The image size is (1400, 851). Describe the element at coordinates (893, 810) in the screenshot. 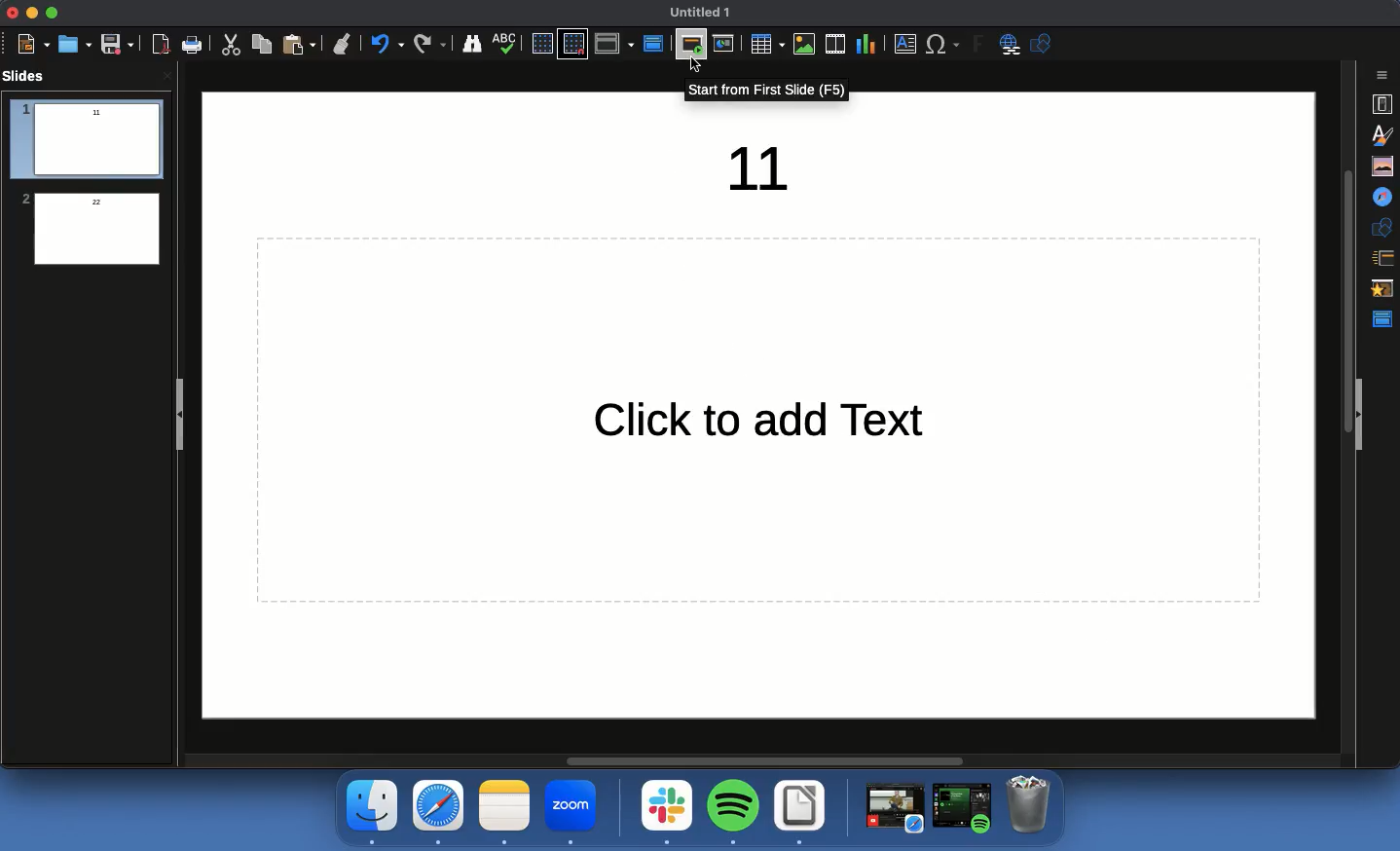

I see `Safari window` at that location.